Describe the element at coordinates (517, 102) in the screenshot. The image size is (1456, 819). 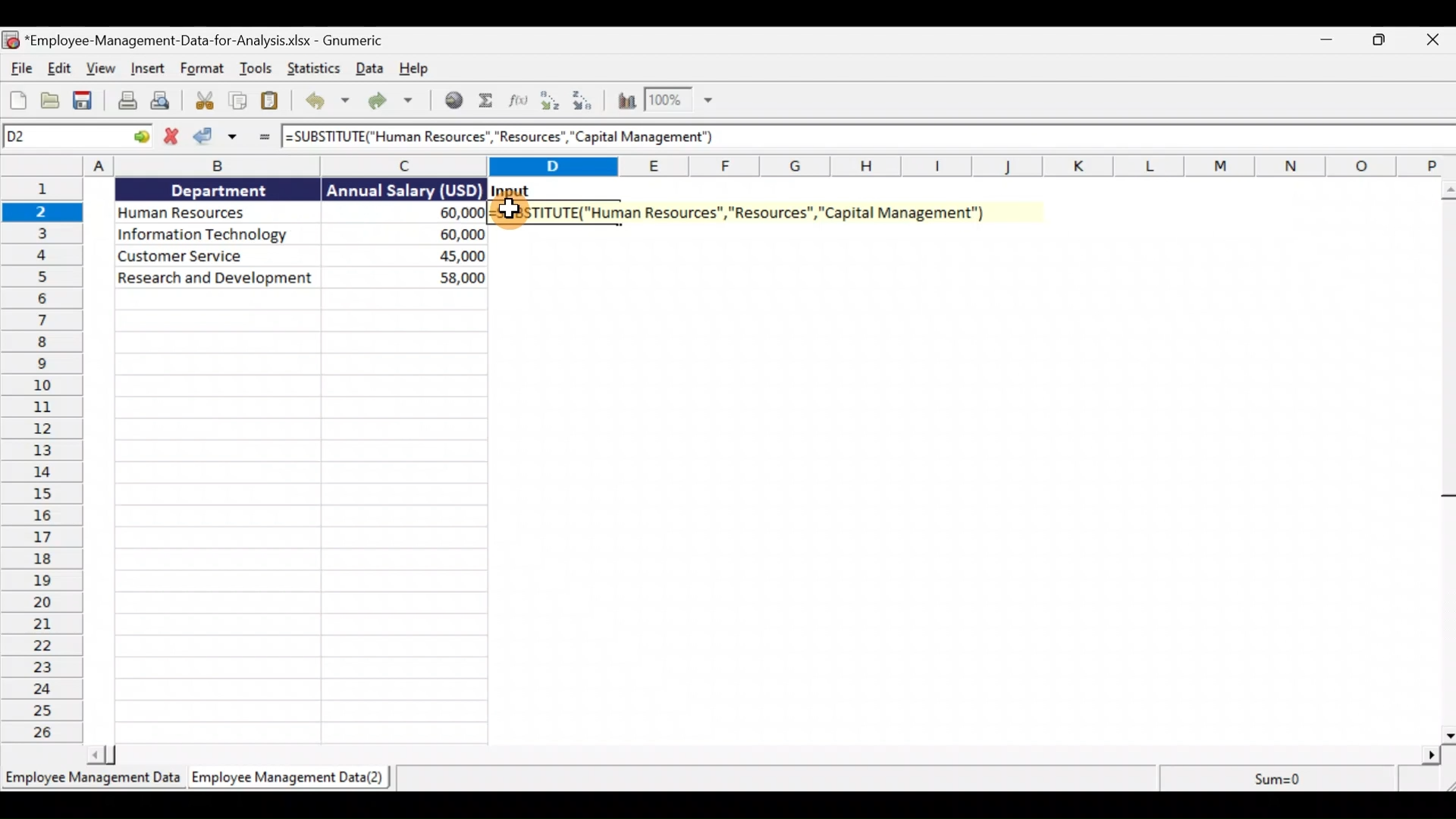
I see `Edit a function in the current cell` at that location.